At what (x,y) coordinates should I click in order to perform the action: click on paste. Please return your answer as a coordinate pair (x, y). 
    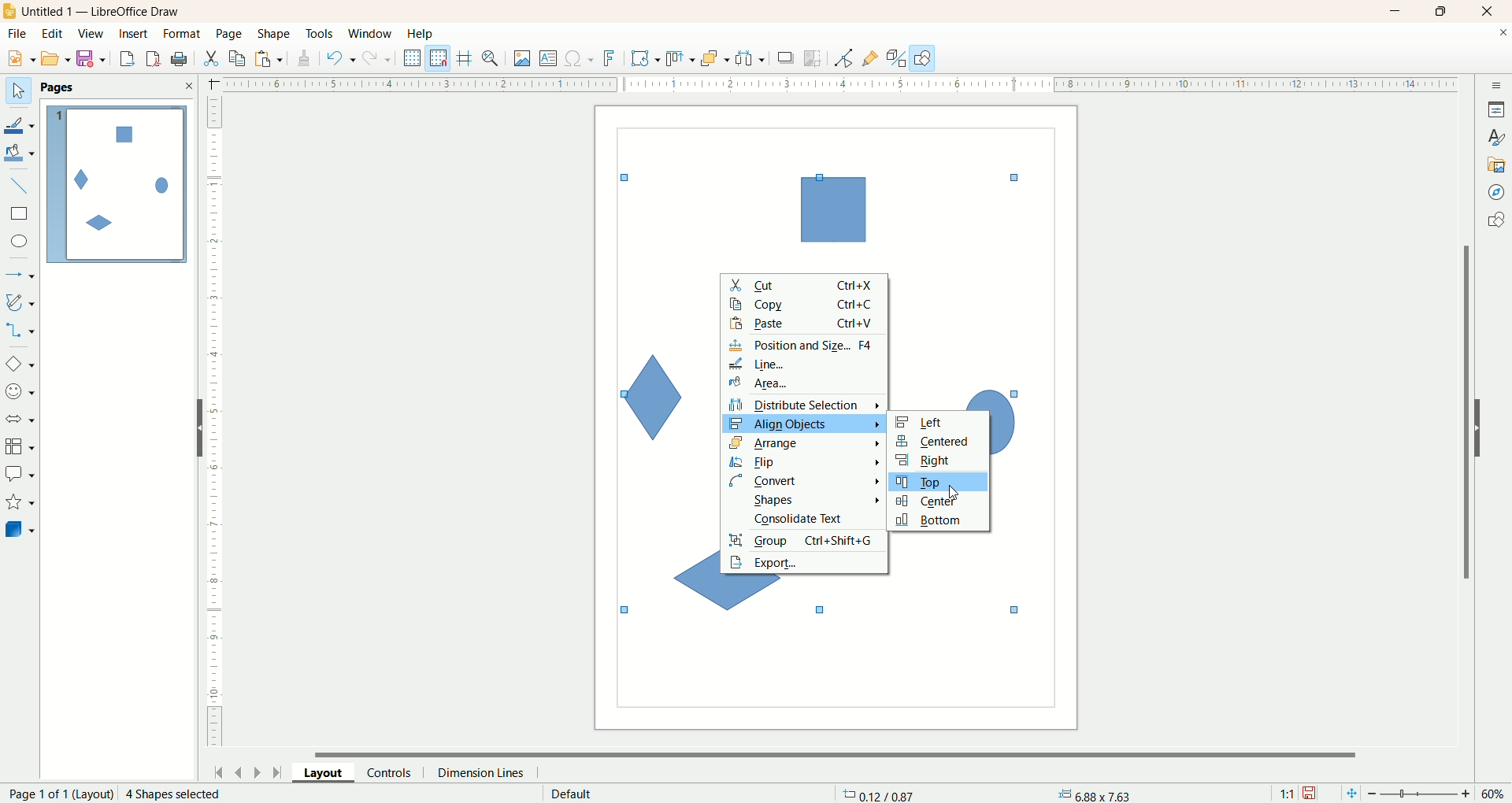
    Looking at the image, I should click on (806, 323).